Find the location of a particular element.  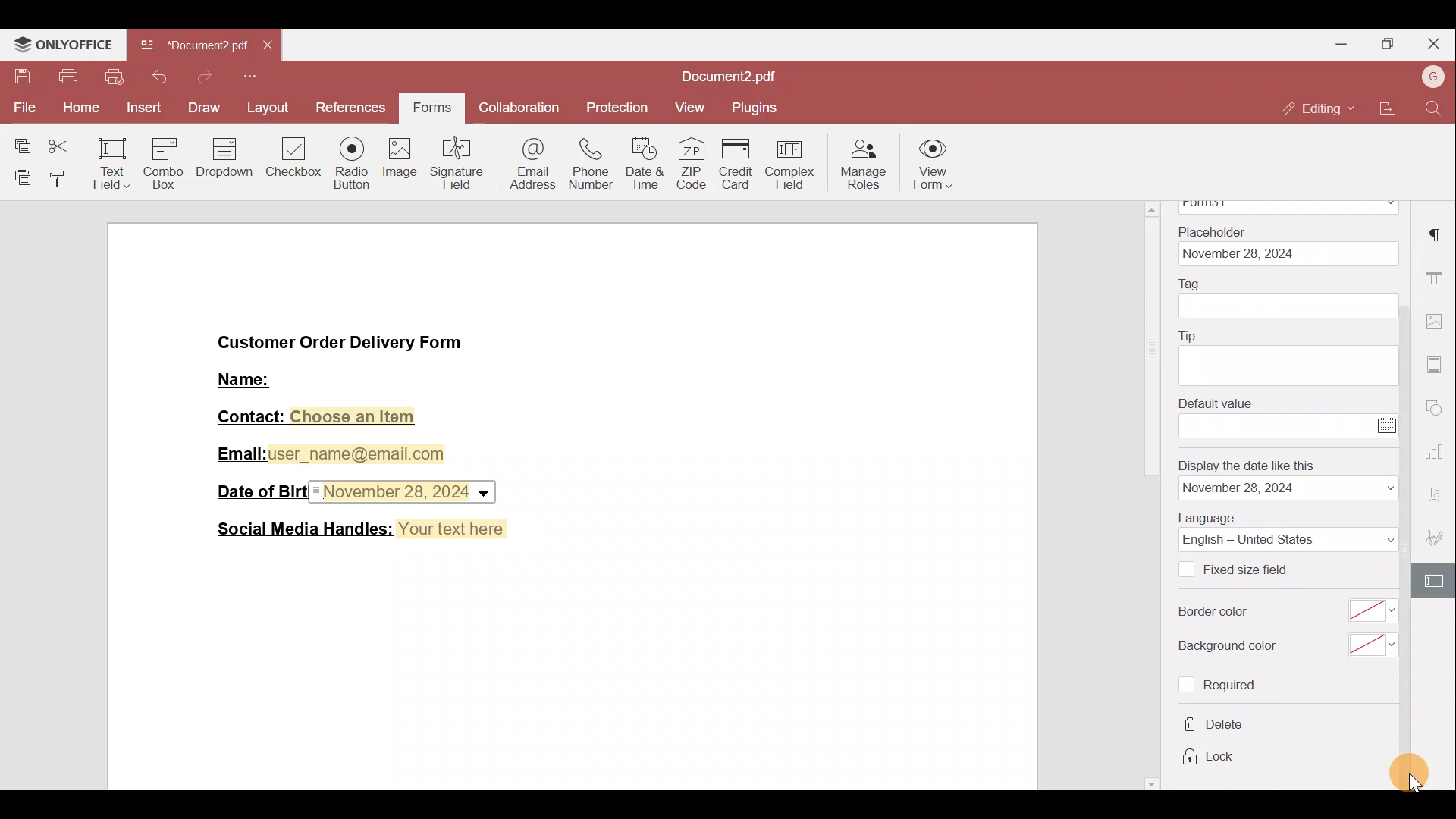

Display the date like this is located at coordinates (1248, 464).